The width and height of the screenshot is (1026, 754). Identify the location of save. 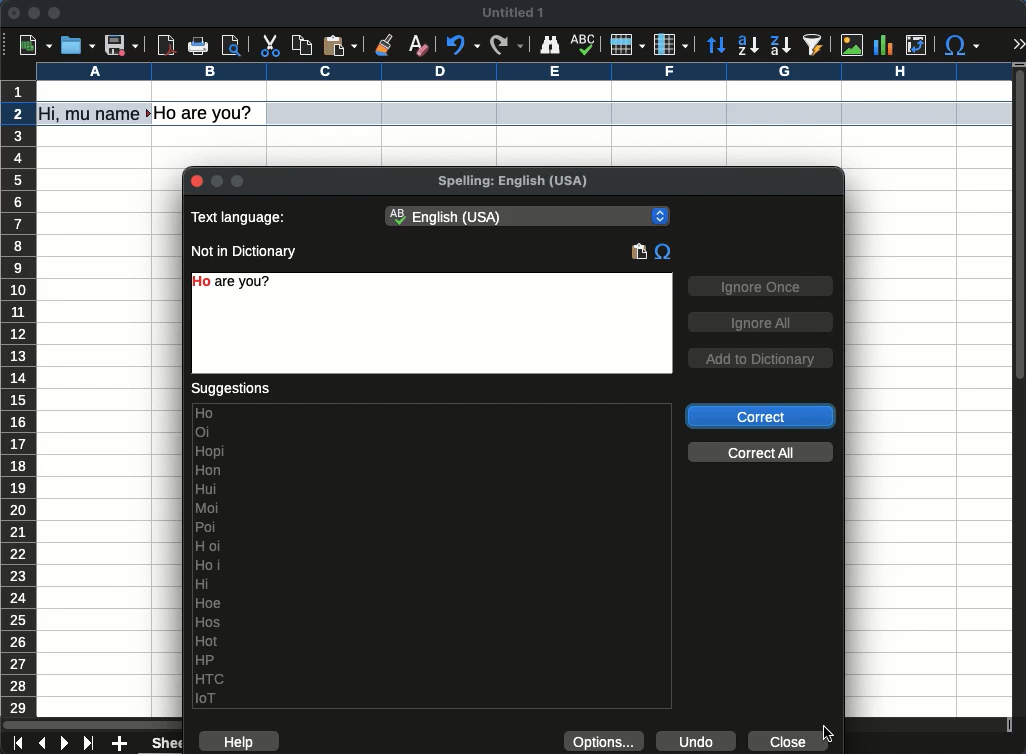
(122, 45).